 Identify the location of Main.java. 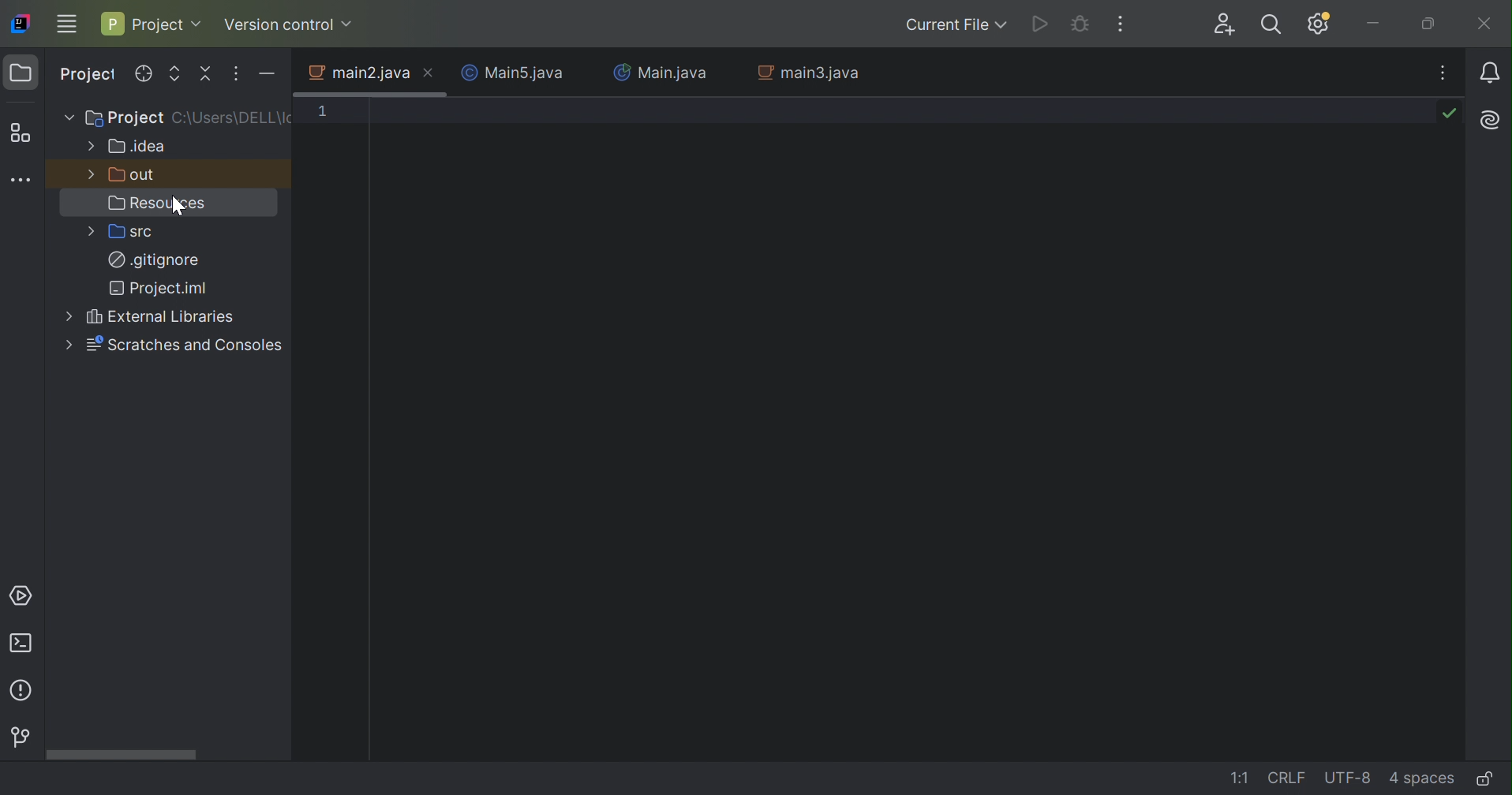
(660, 74).